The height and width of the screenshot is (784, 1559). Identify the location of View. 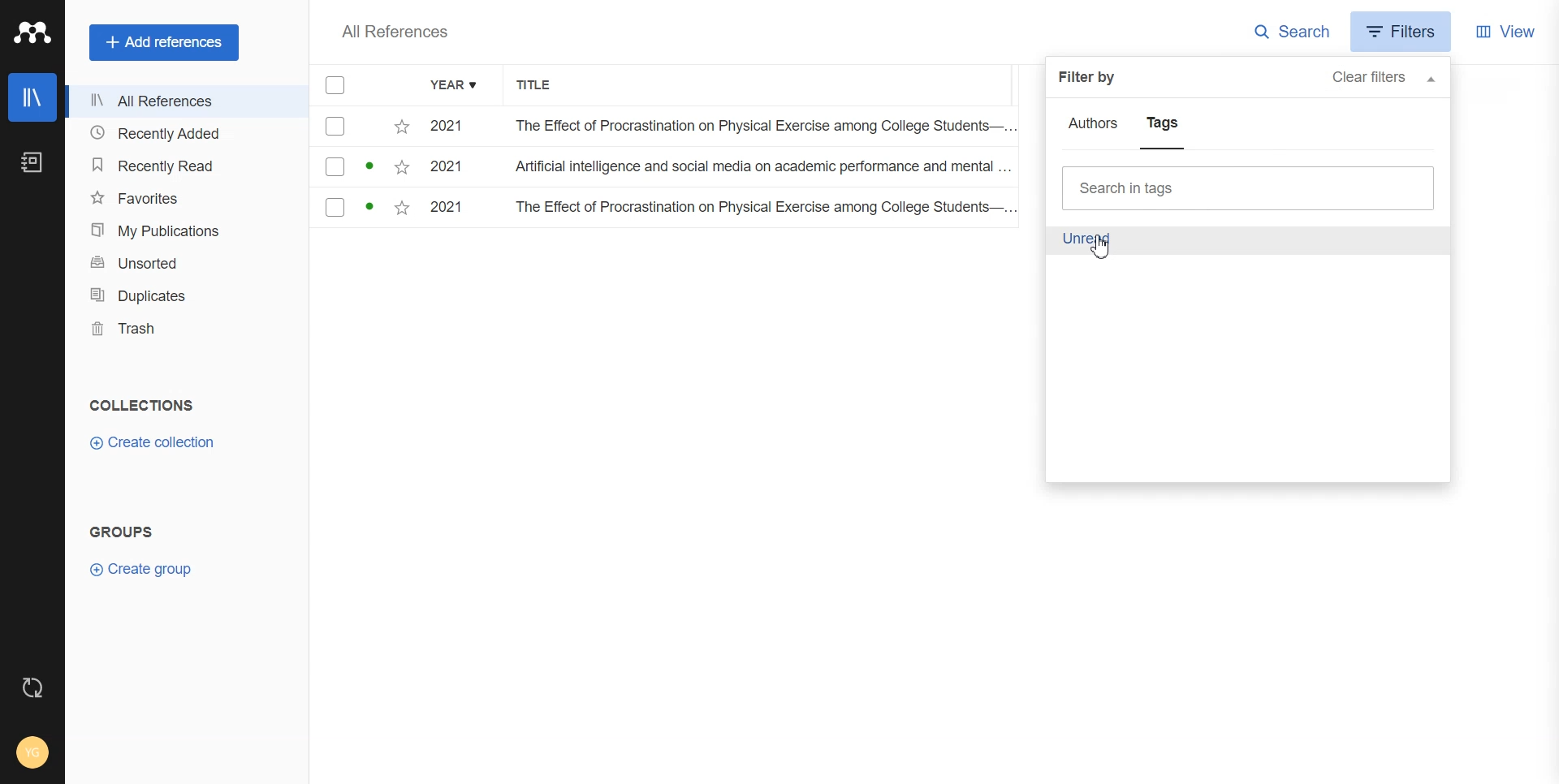
(1506, 30).